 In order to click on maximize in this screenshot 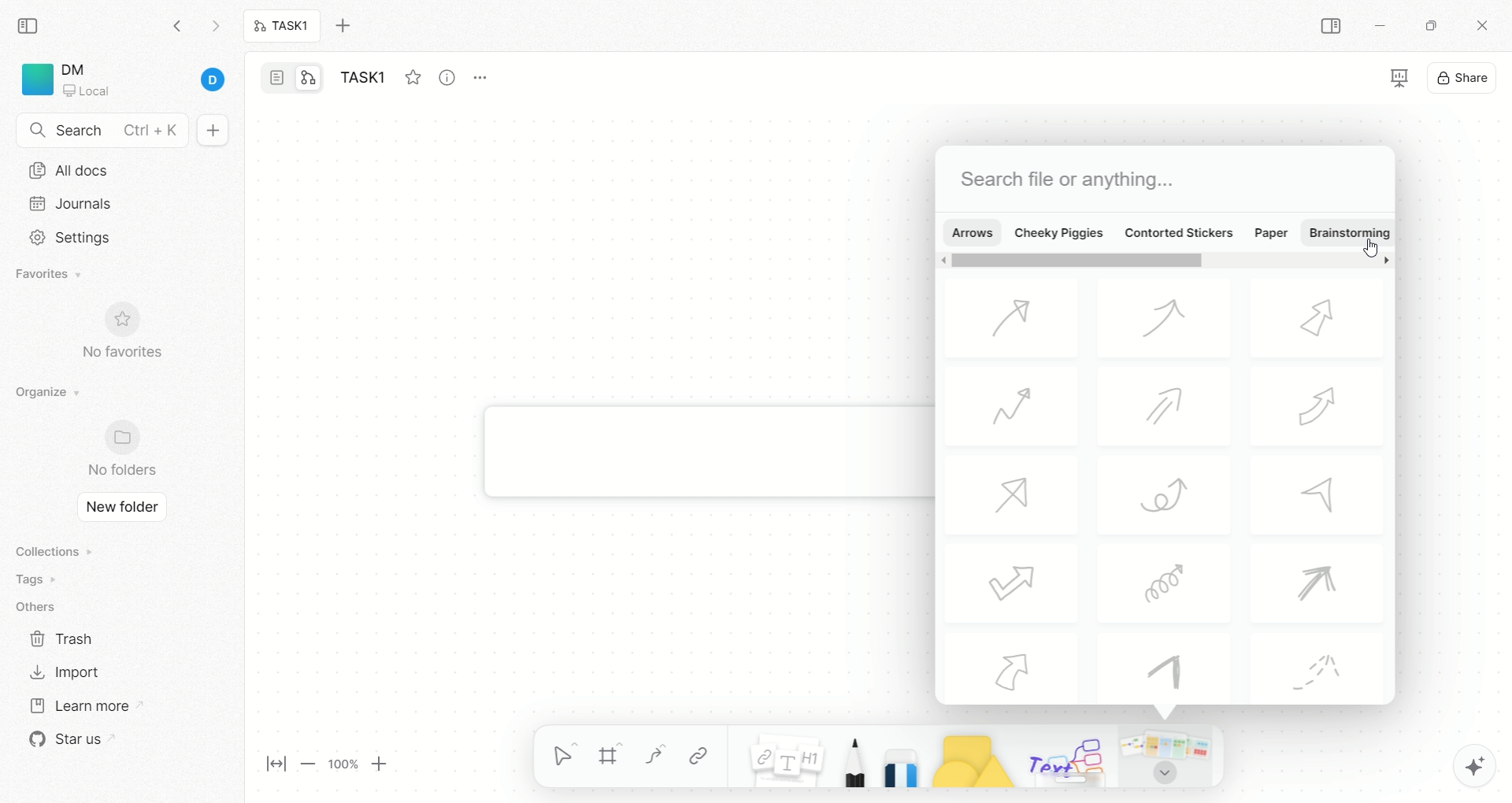, I will do `click(1426, 24)`.